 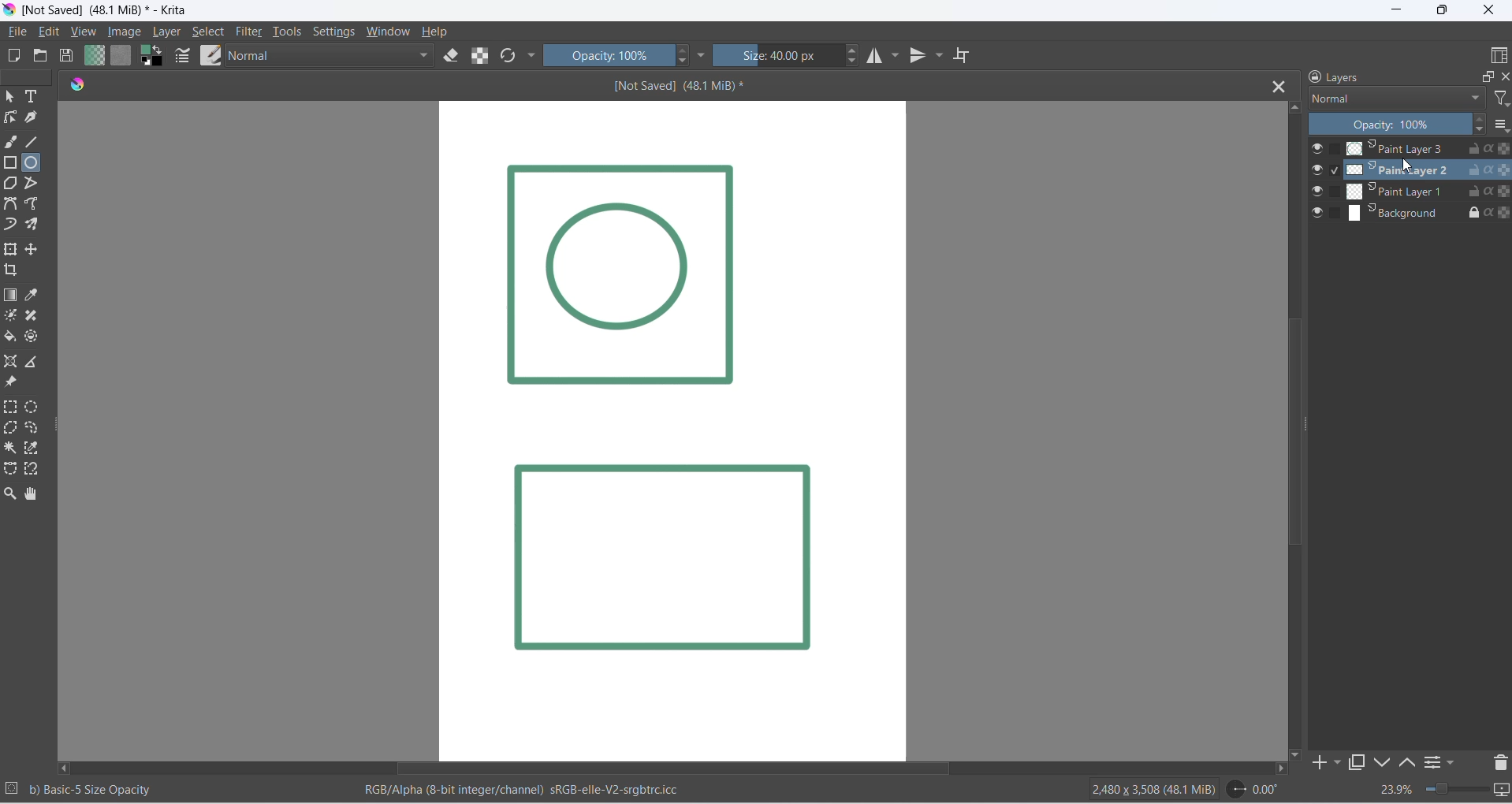 What do you see at coordinates (482, 56) in the screenshot?
I see `preserve alpha` at bounding box center [482, 56].